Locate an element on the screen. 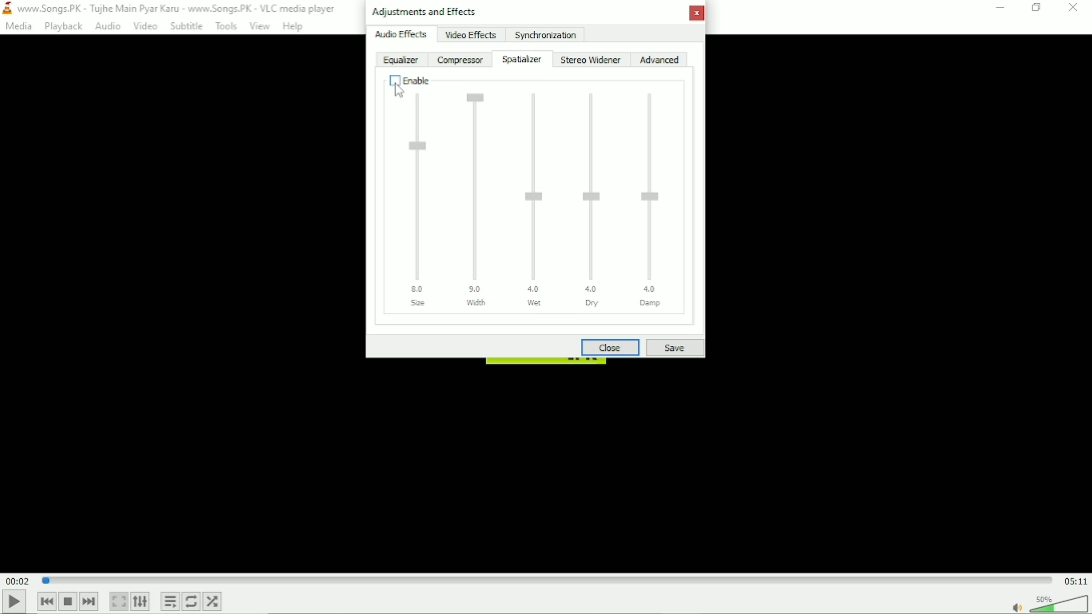 Image resolution: width=1092 pixels, height=614 pixels. Media is located at coordinates (20, 26).